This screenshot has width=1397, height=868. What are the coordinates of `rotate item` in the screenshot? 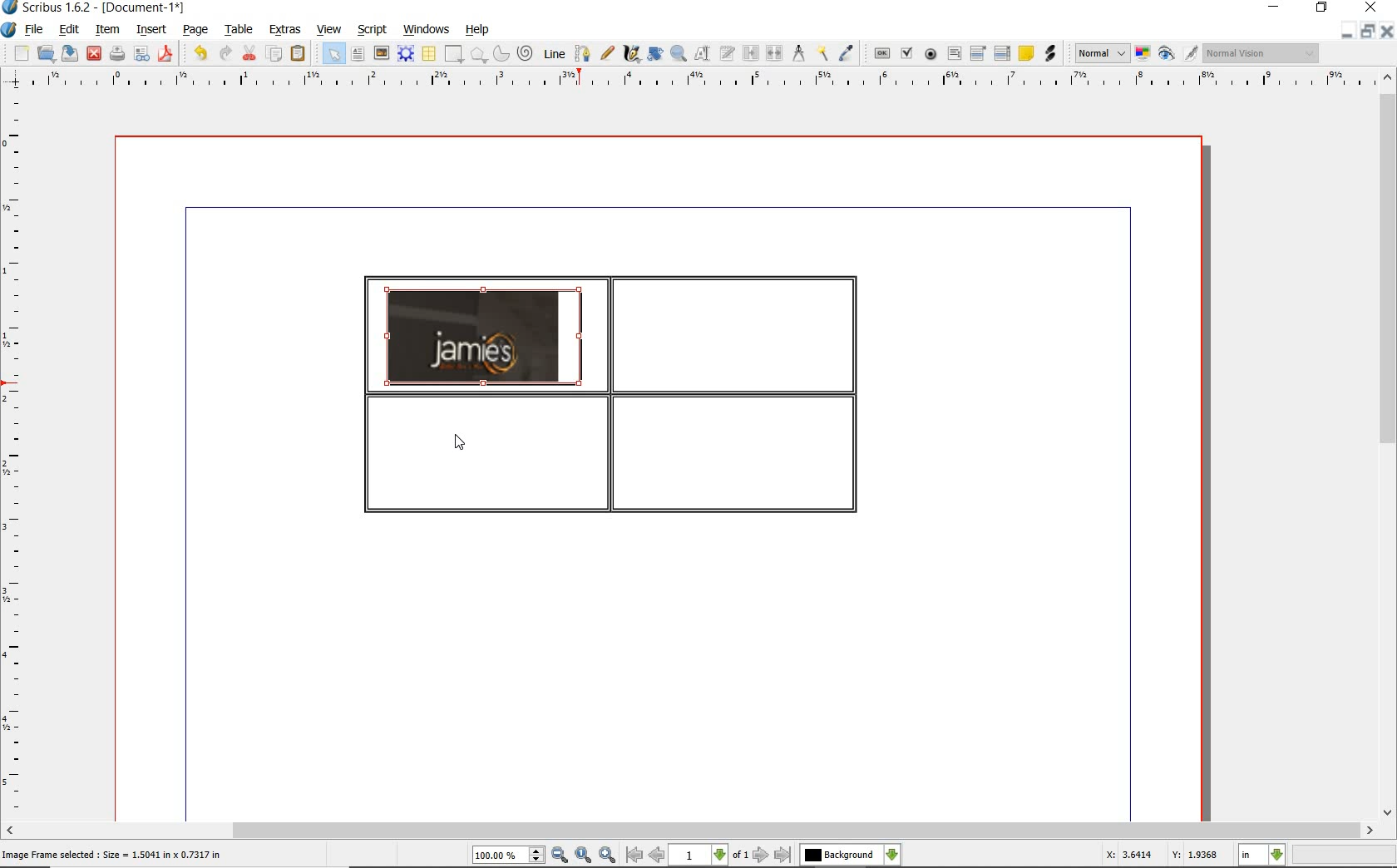 It's located at (654, 55).